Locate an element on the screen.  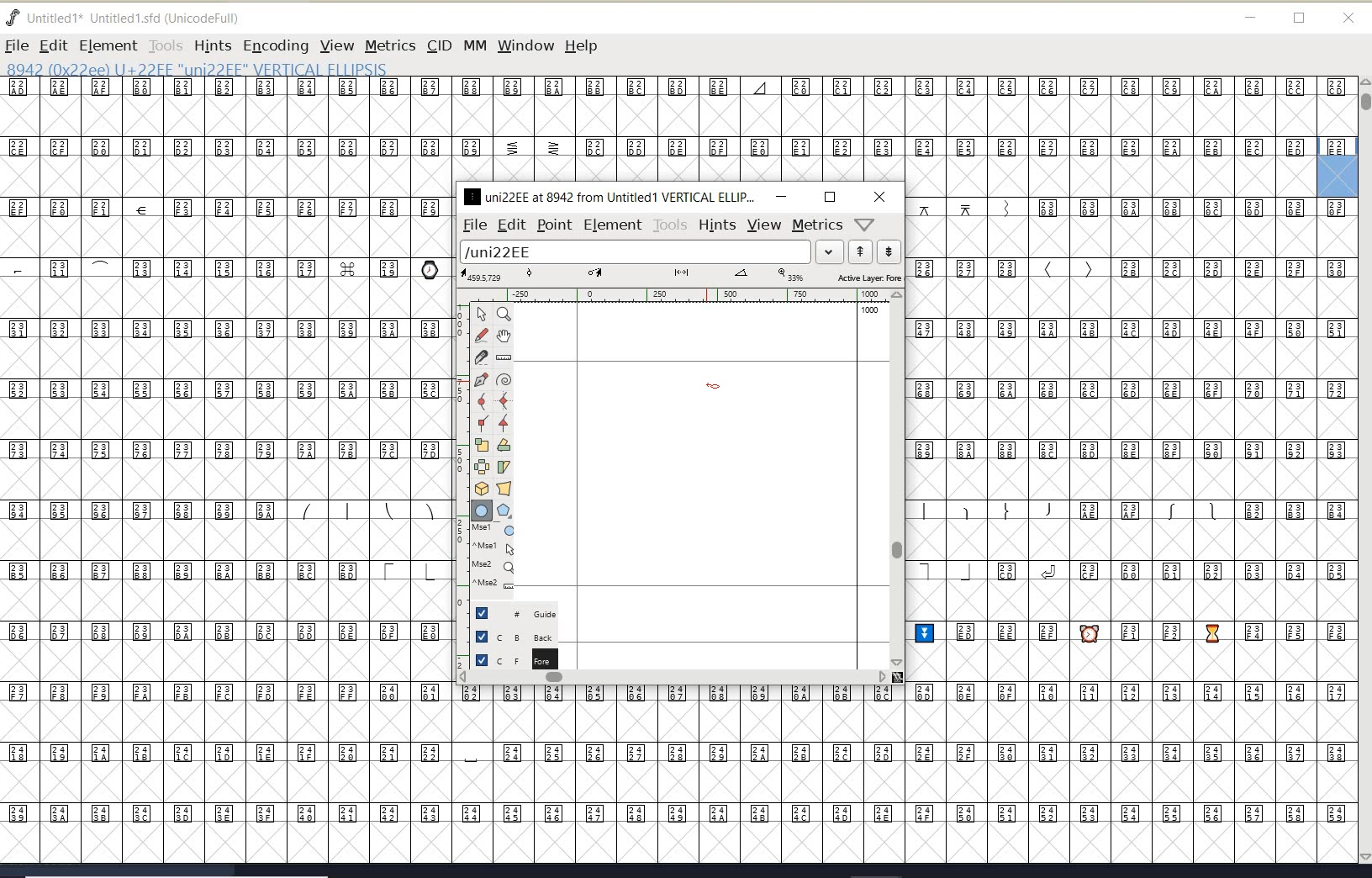
measure distance, angle between points is located at coordinates (504, 357).